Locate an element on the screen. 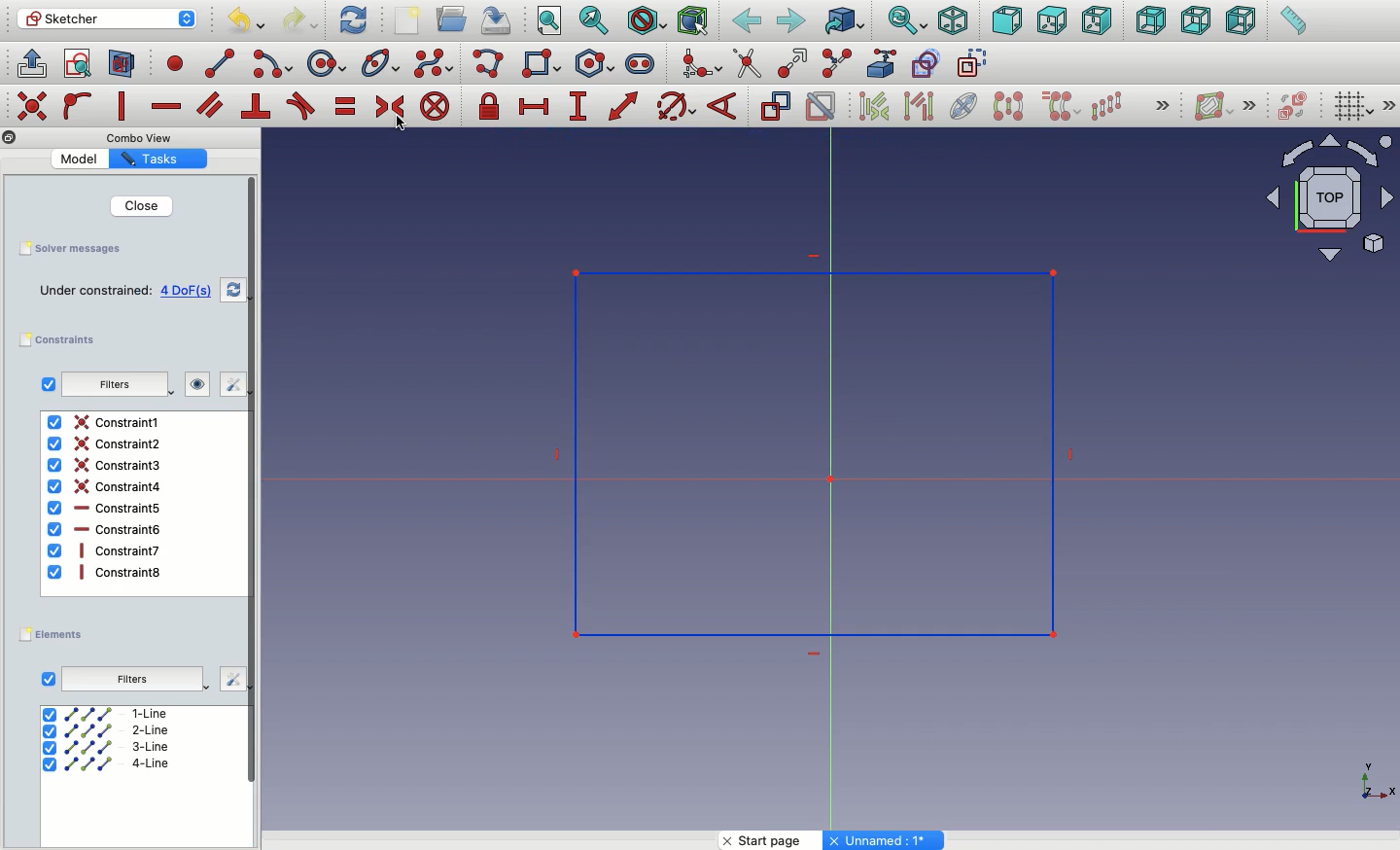 The width and height of the screenshot is (1400, 850). Constraint7 is located at coordinates (105, 549).